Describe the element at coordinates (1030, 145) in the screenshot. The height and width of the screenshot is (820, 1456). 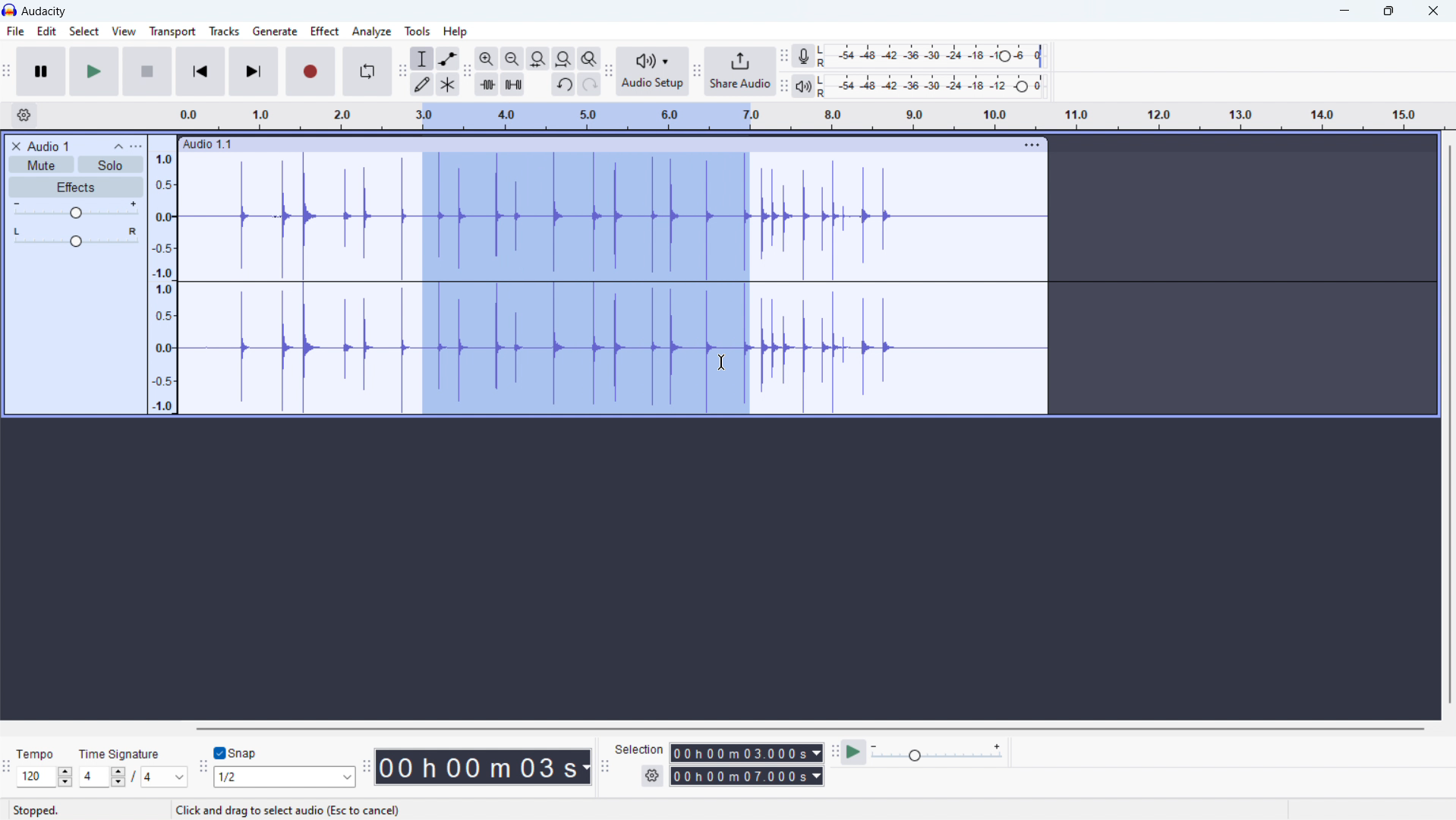
I see `menu` at that location.